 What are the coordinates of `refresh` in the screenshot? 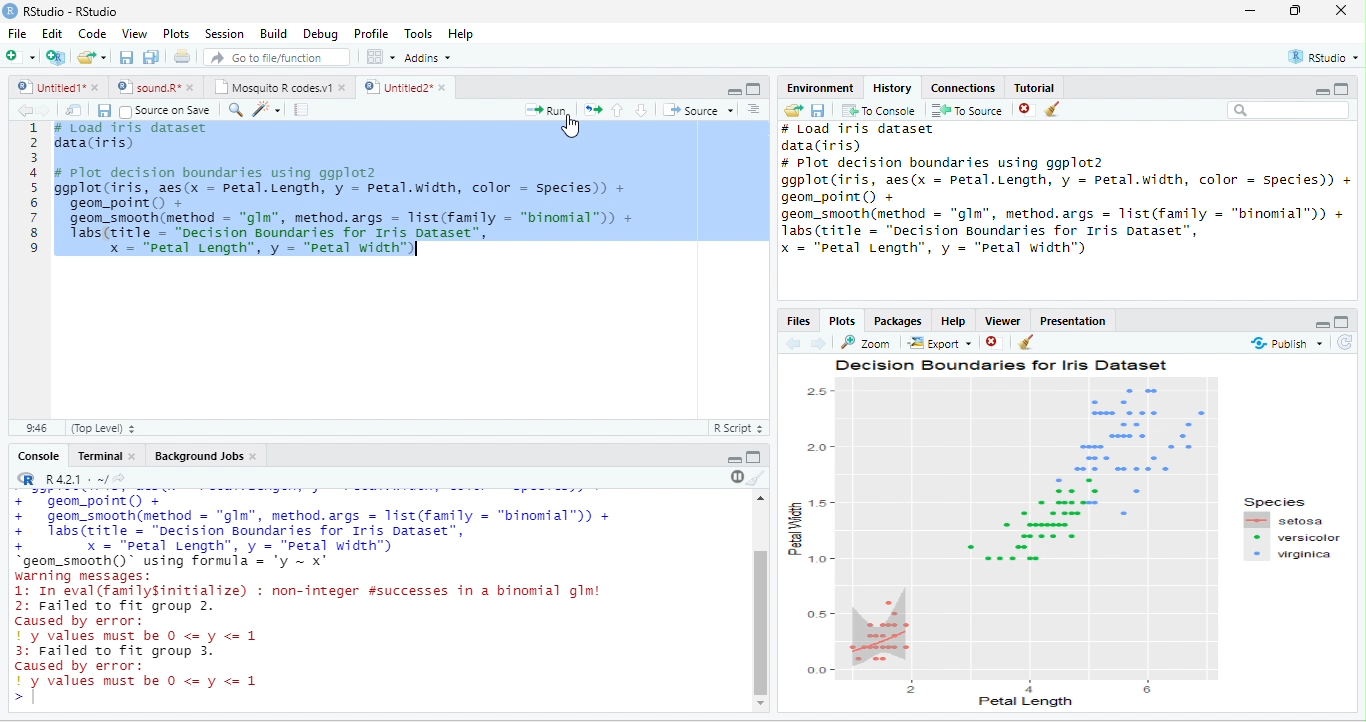 It's located at (1344, 343).